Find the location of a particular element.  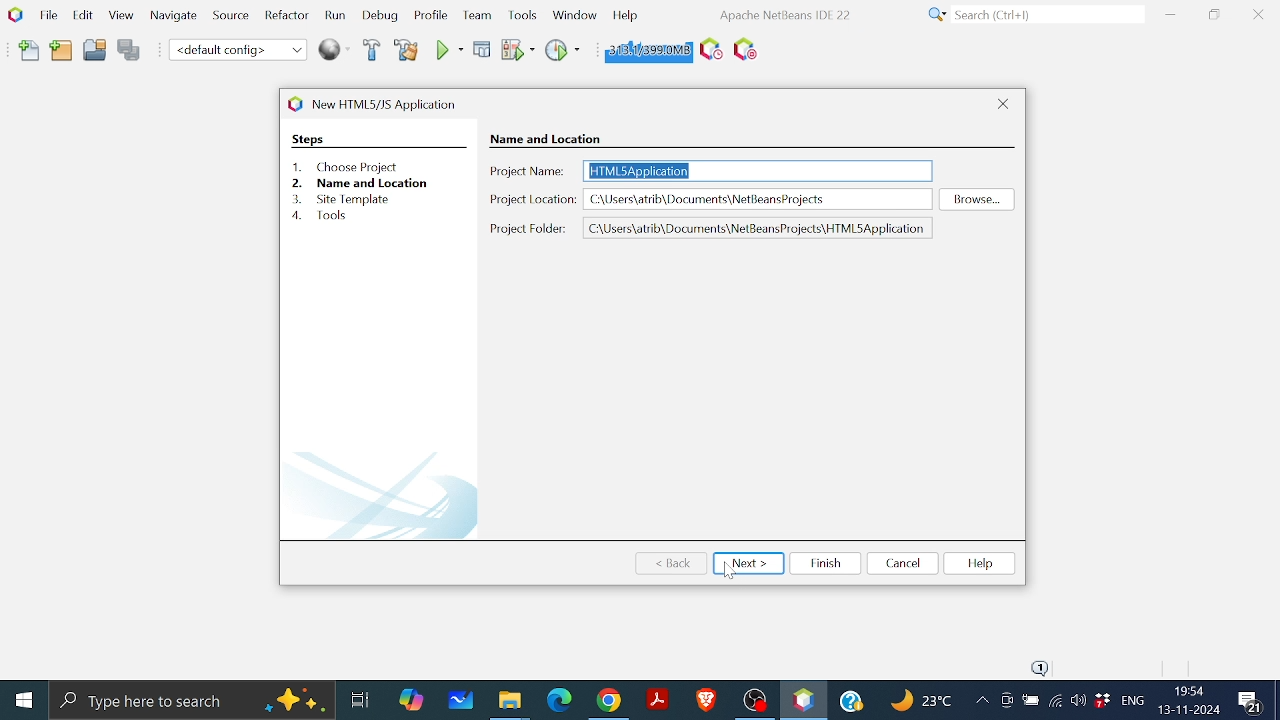

Navigate is located at coordinates (174, 19).